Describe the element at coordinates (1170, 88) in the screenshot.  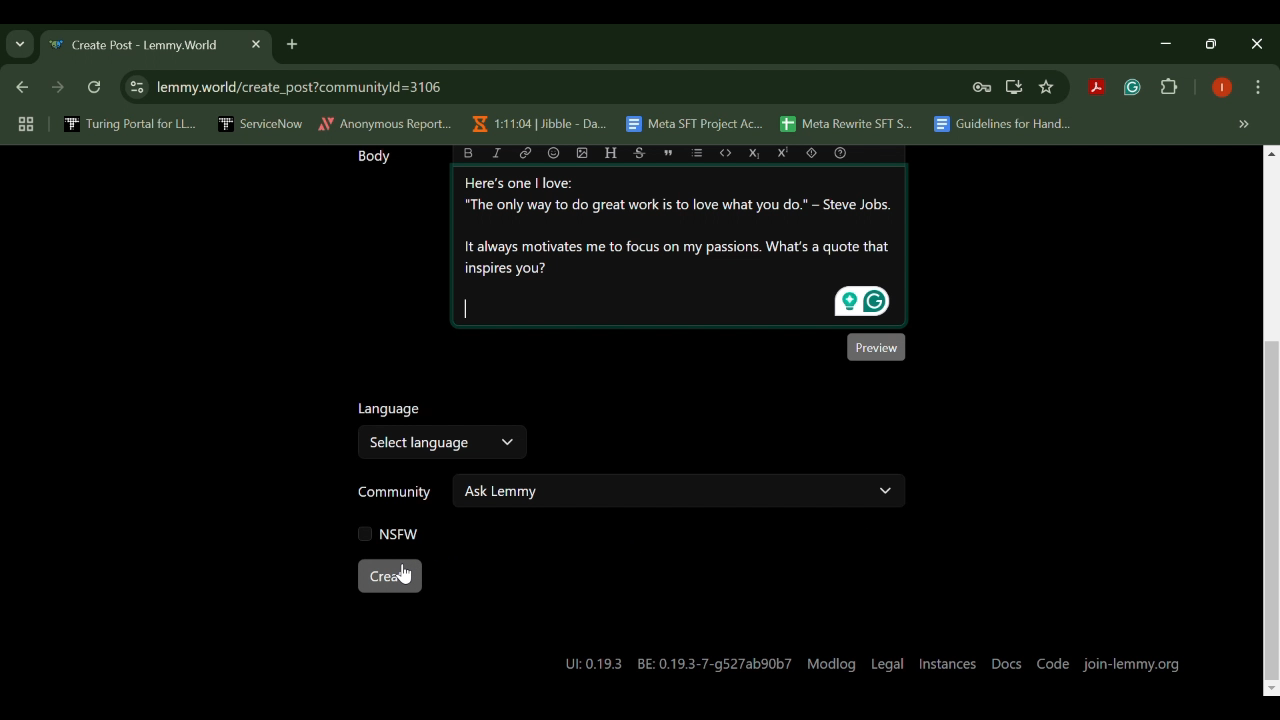
I see `Extensions` at that location.